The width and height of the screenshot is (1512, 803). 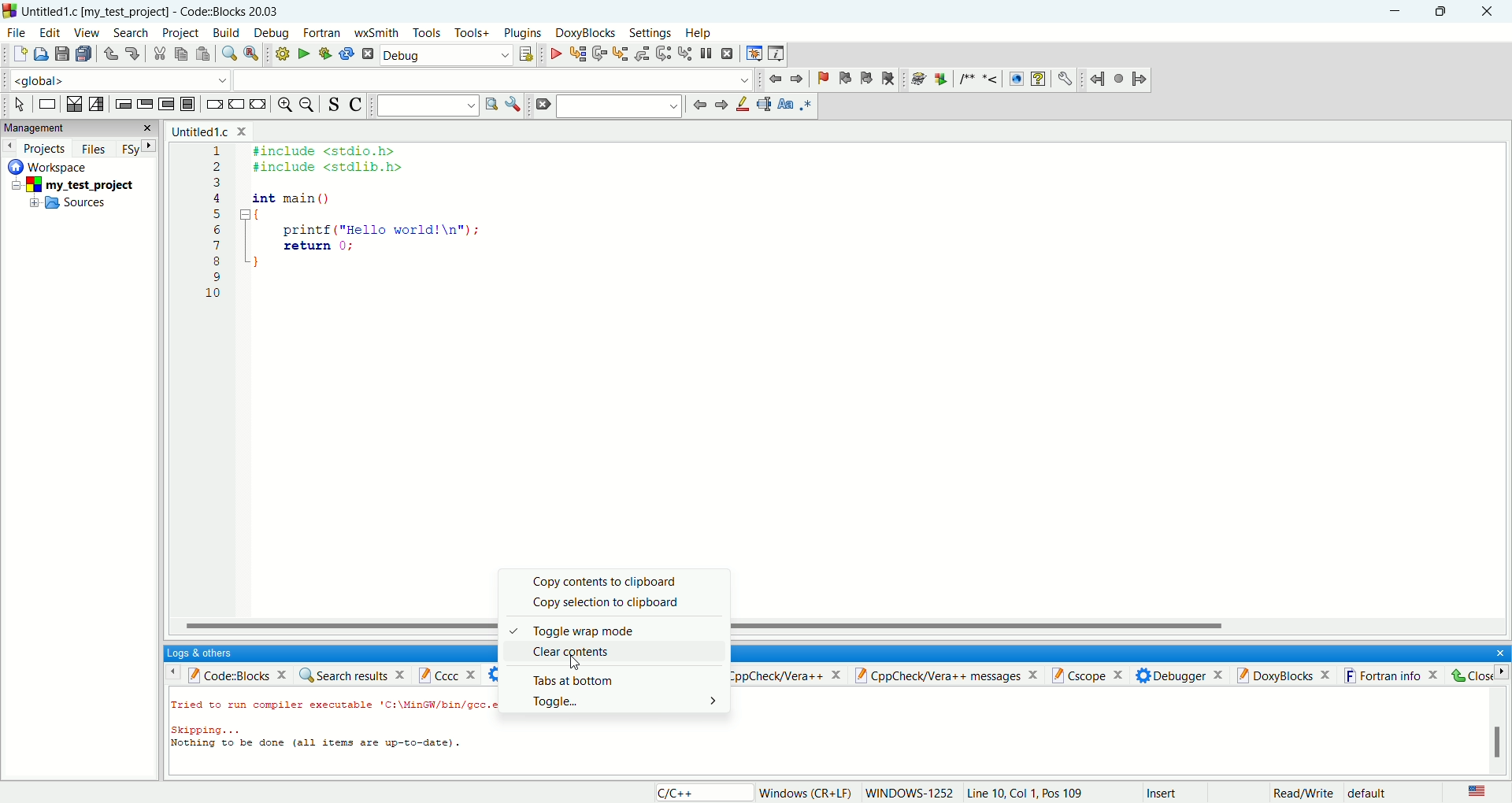 I want to click on jump next, so click(x=773, y=81).